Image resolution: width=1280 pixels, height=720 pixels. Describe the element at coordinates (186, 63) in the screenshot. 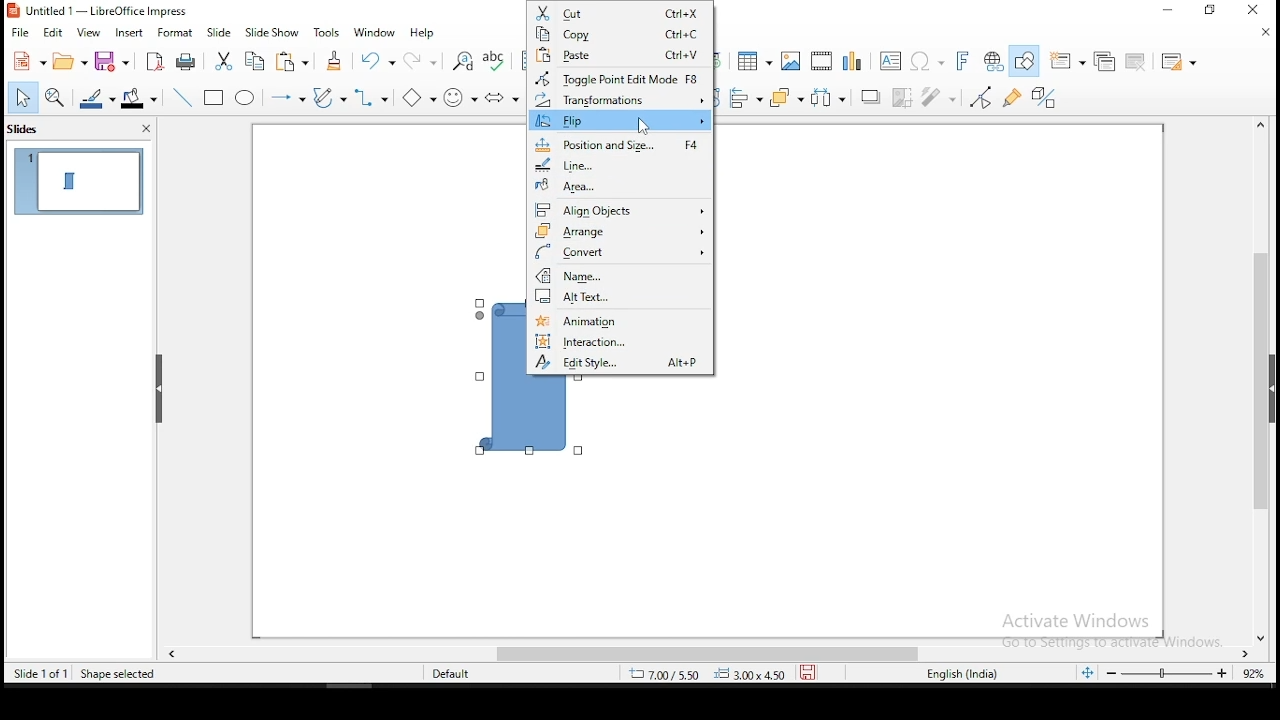

I see `print` at that location.